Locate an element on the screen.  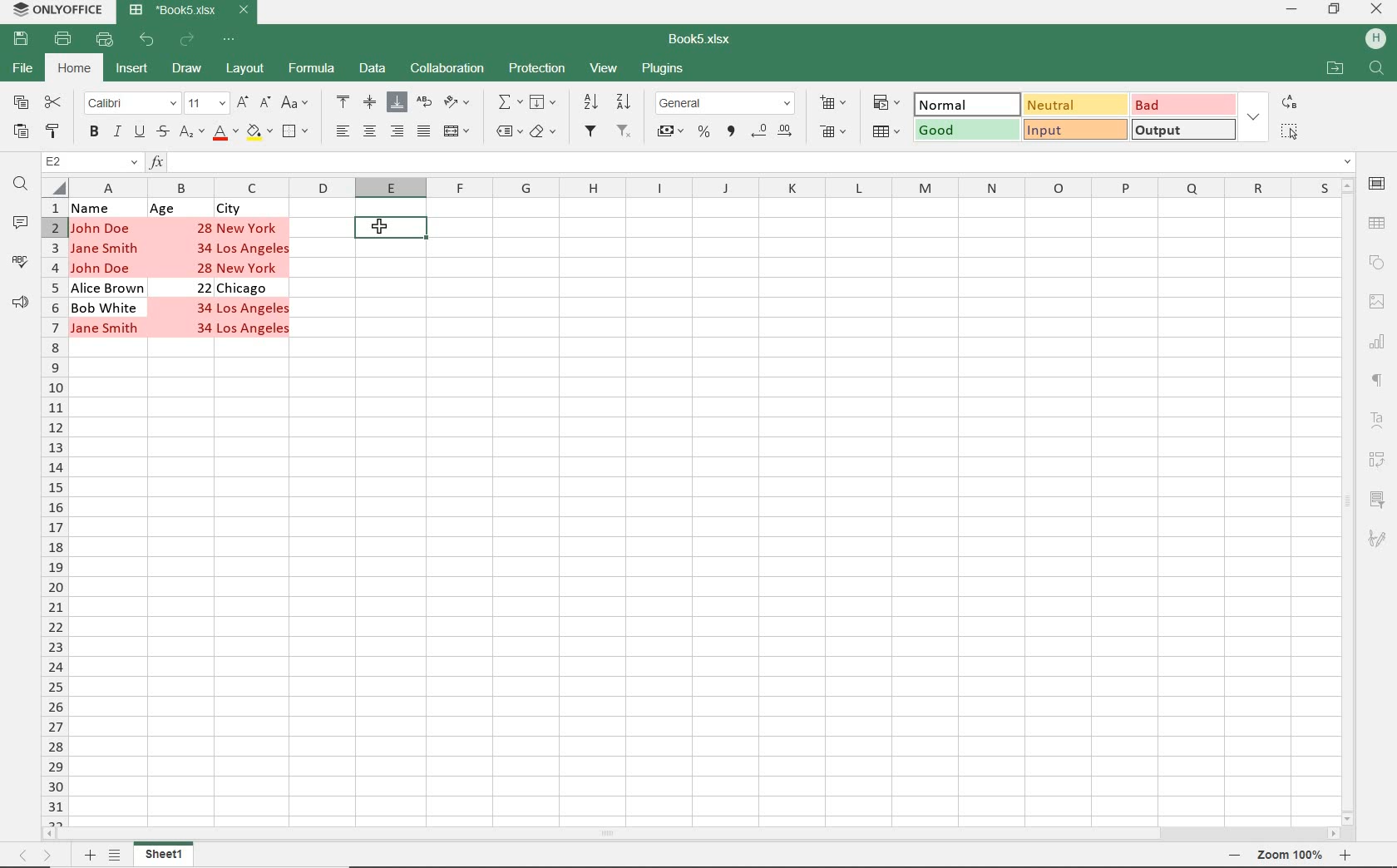
INSERT CELLS is located at coordinates (835, 104).